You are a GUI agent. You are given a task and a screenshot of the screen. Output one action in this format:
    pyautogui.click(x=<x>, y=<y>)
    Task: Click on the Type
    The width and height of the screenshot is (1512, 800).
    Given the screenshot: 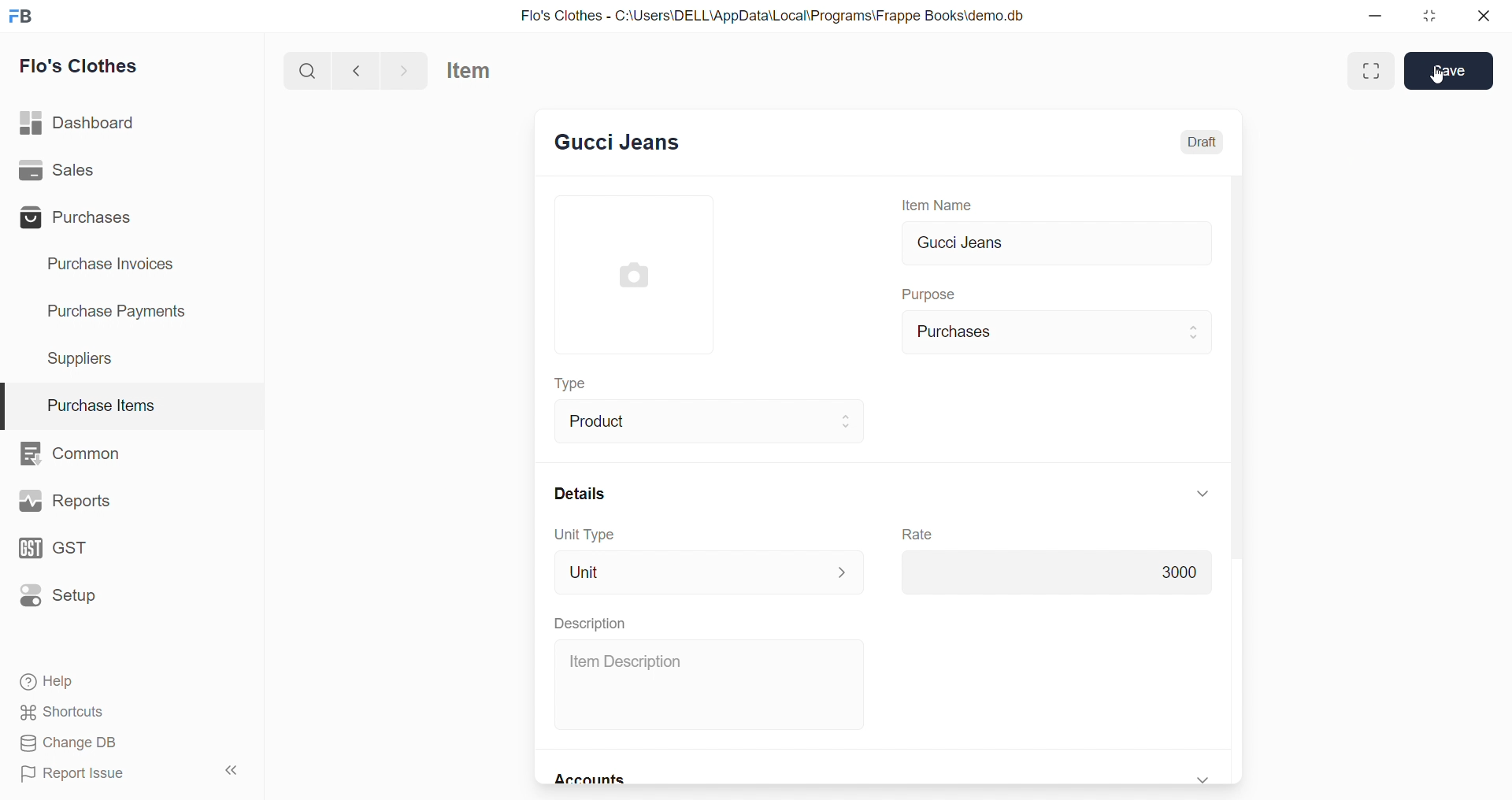 What is the action you would take?
    pyautogui.click(x=577, y=385)
    